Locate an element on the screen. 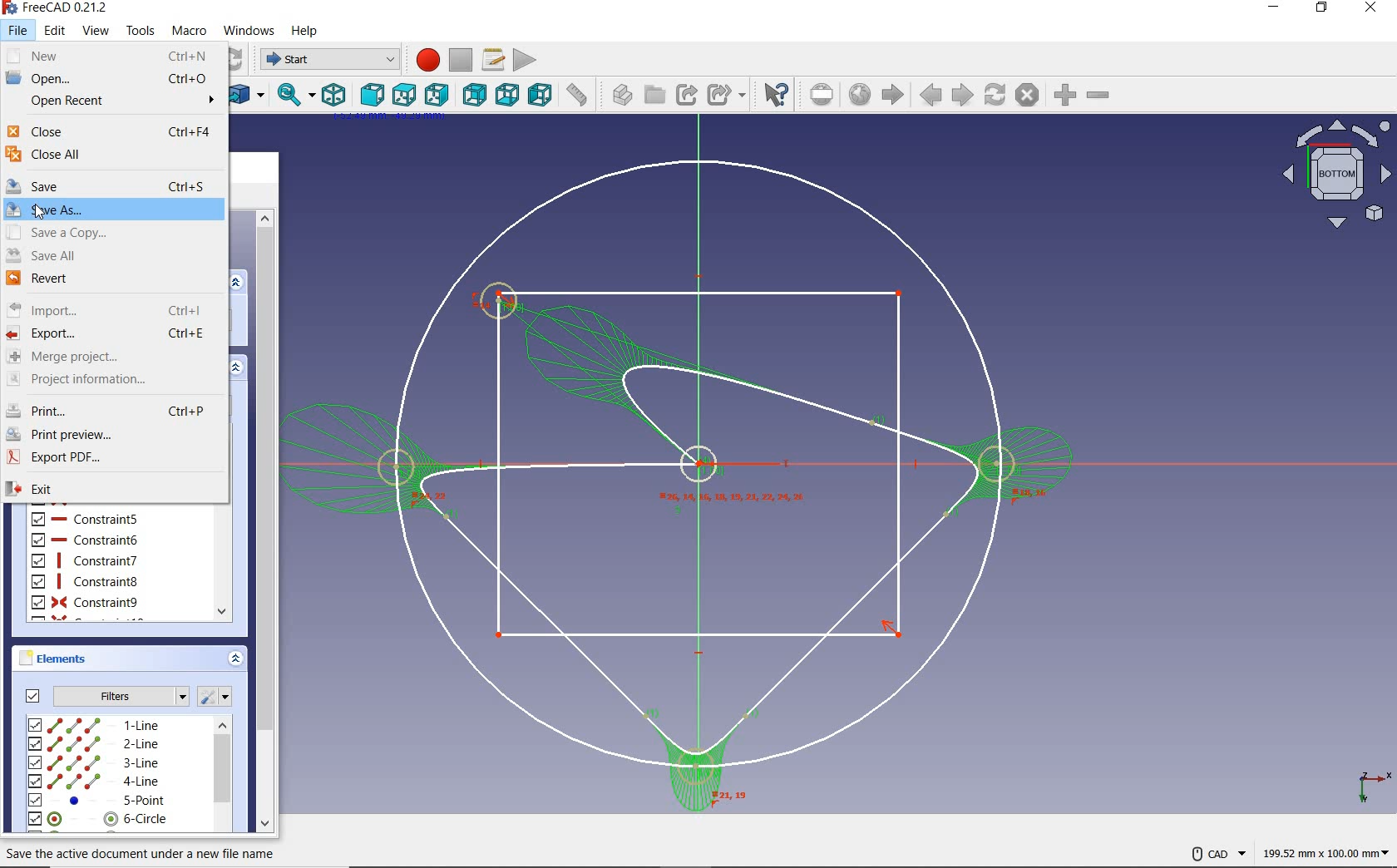  print is located at coordinates (110, 407).